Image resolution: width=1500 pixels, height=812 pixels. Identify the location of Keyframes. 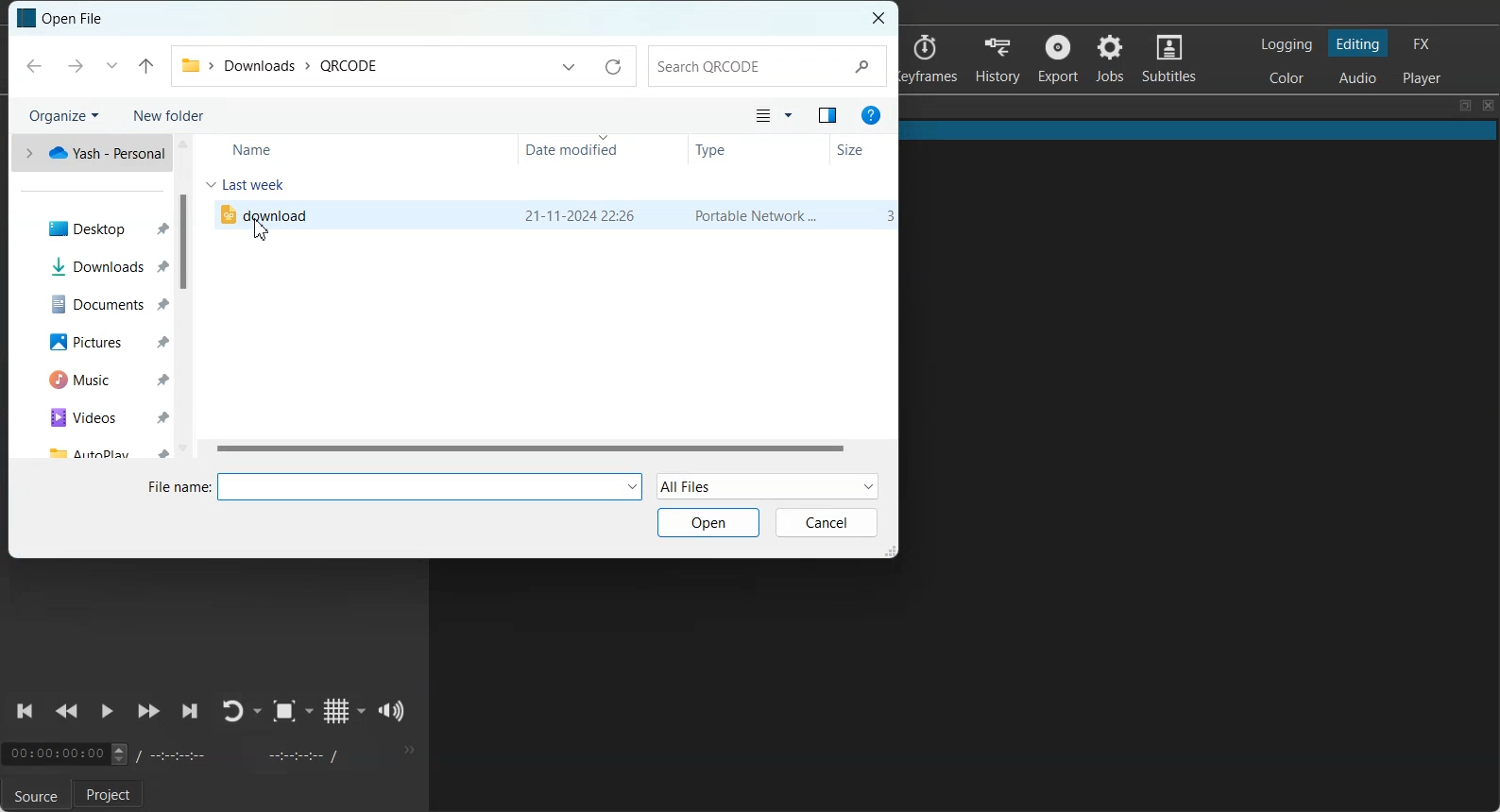
(932, 59).